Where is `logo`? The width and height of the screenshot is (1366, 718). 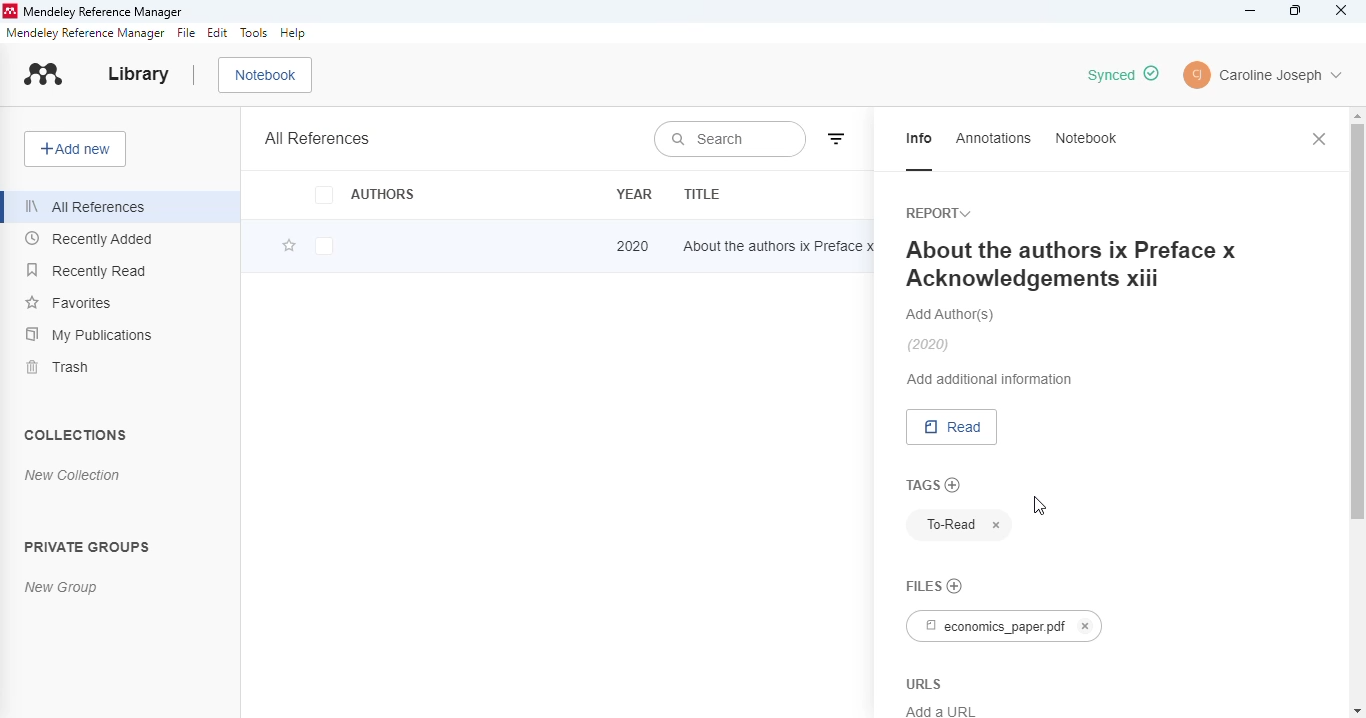
logo is located at coordinates (9, 11).